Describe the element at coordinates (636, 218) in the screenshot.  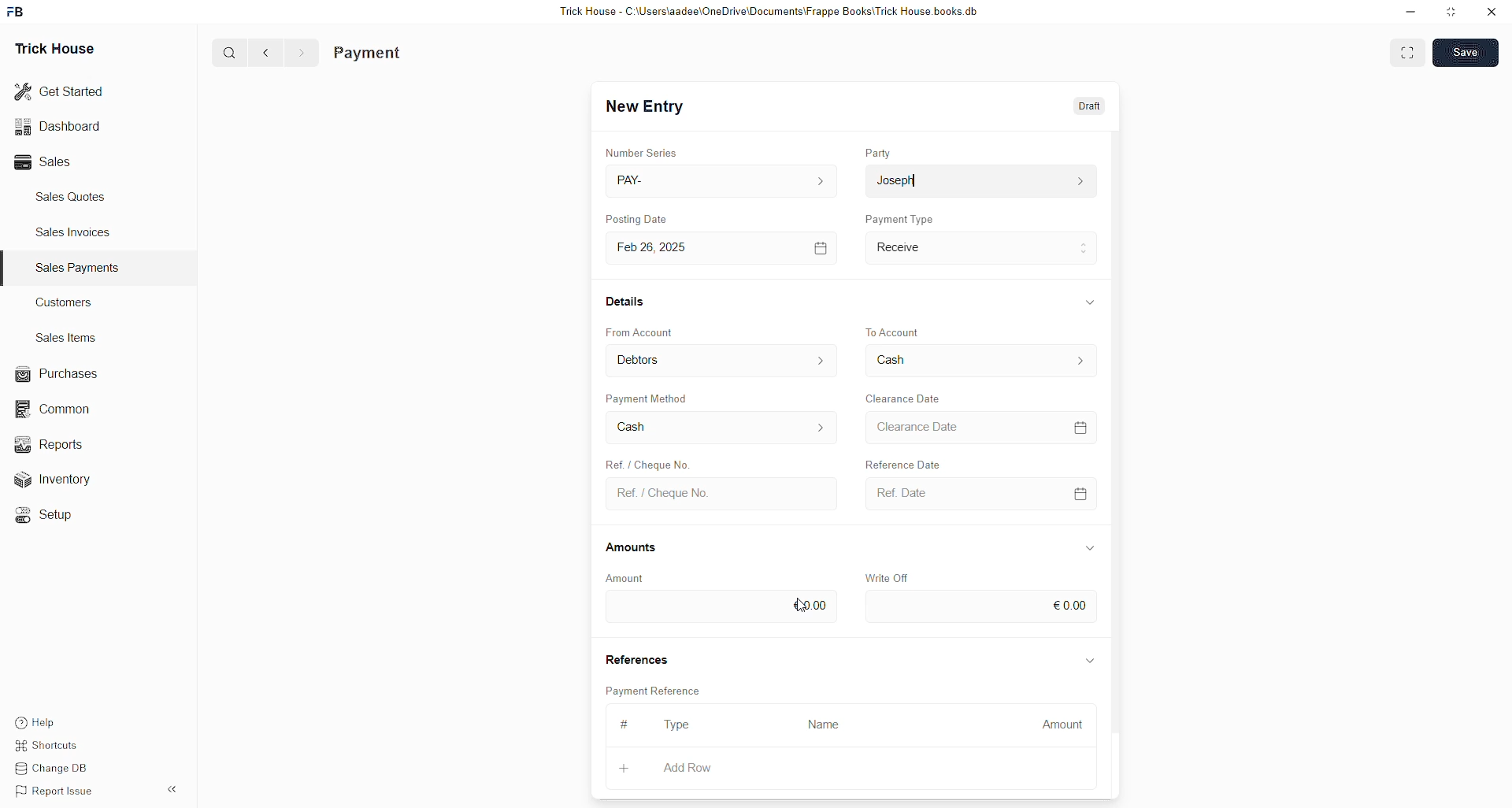
I see `Posting Date` at that location.